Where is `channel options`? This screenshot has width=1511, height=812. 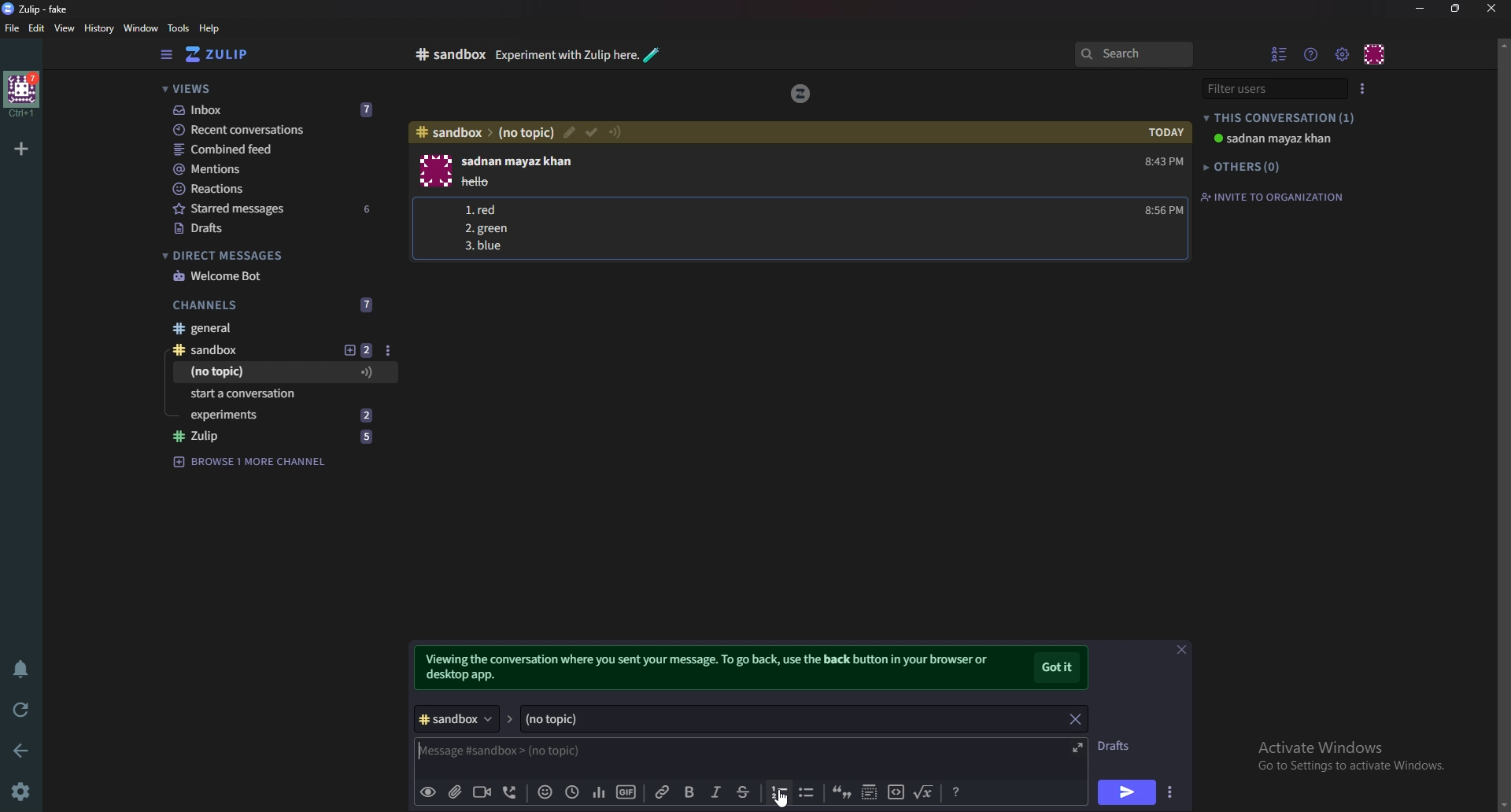
channel options is located at coordinates (388, 350).